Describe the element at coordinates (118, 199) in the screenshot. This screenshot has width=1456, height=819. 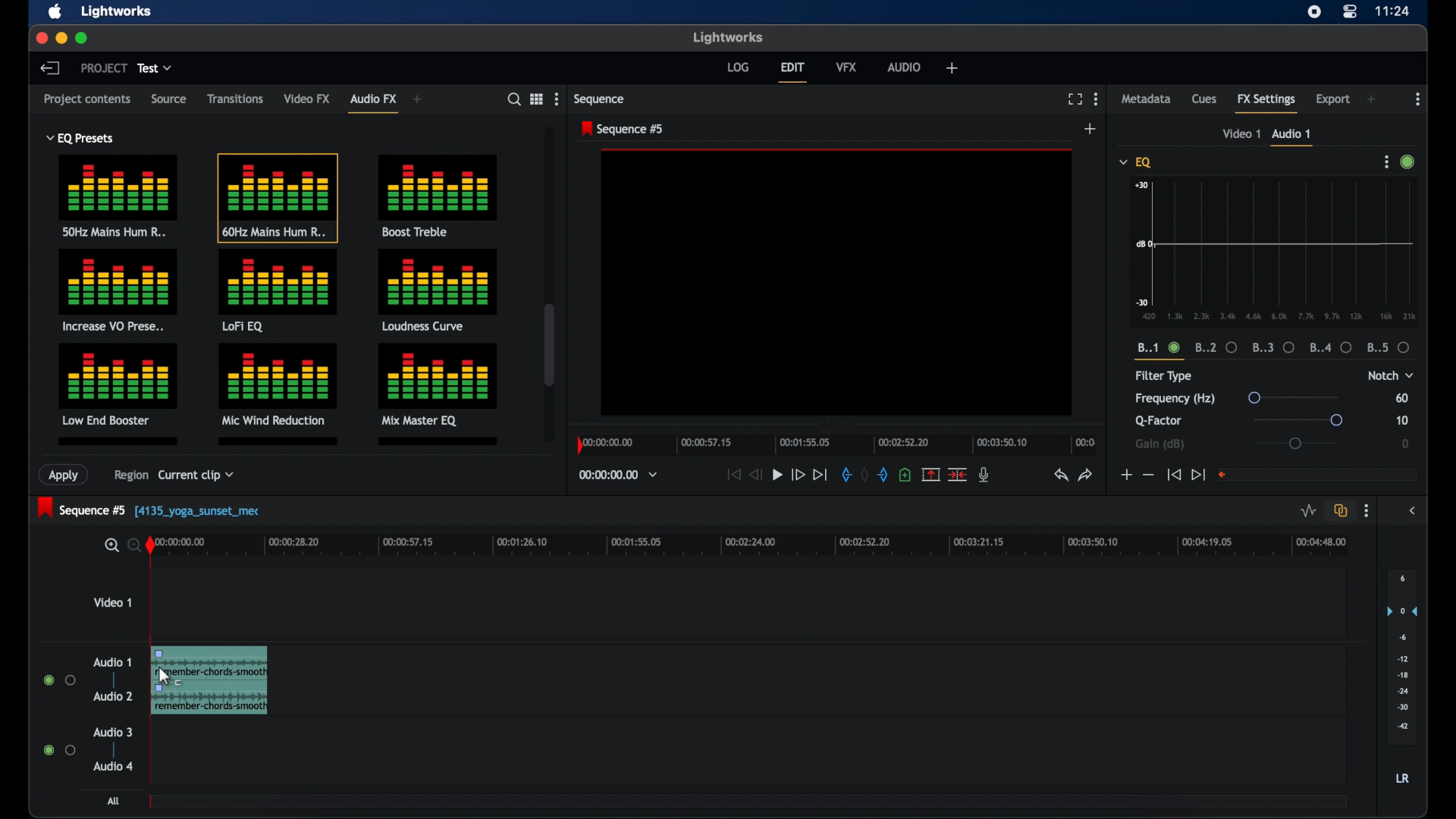
I see `50hz` at that location.